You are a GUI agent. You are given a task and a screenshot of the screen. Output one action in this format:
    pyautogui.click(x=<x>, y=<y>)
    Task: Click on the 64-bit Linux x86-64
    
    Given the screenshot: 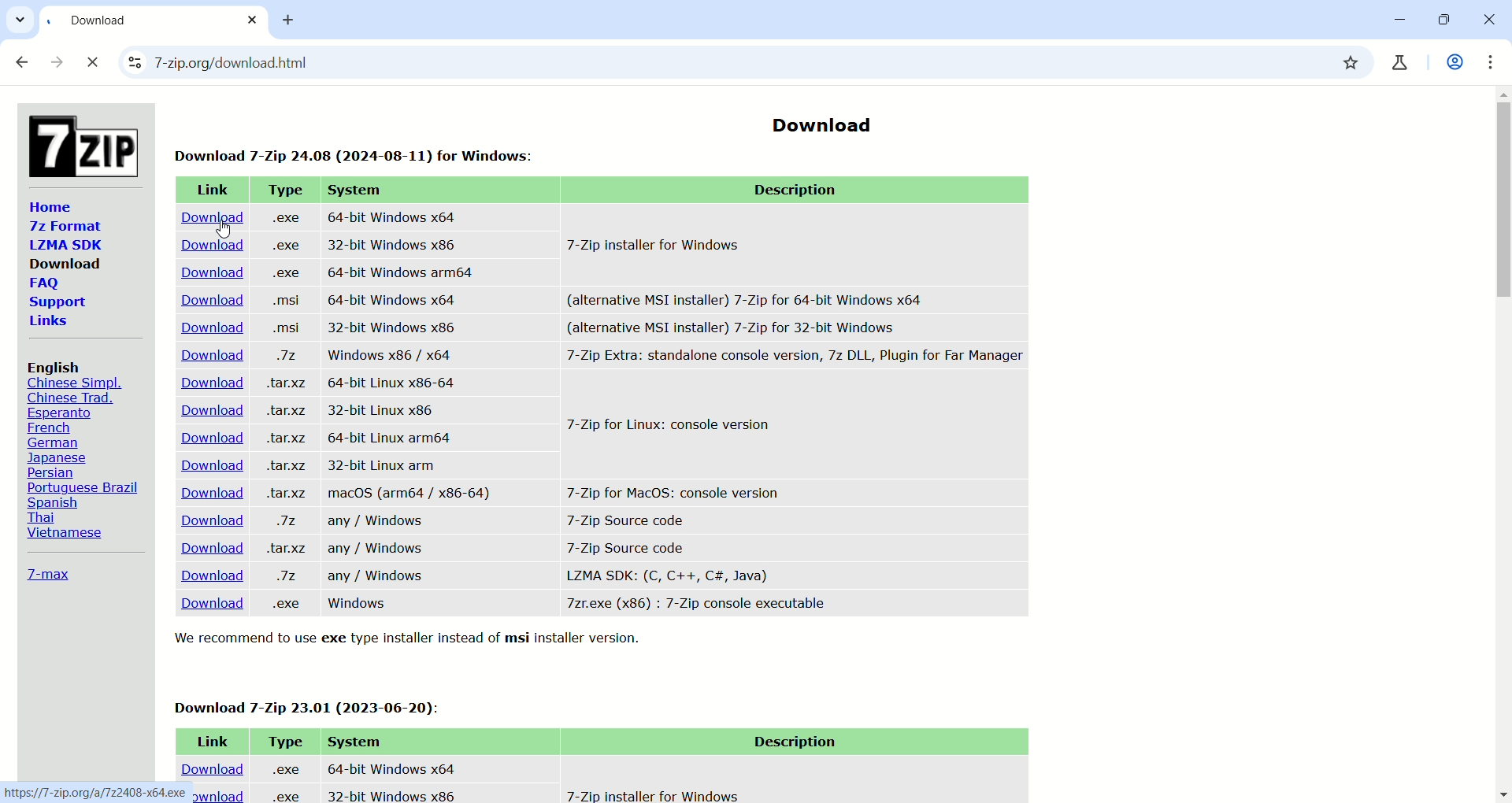 What is the action you would take?
    pyautogui.click(x=393, y=383)
    